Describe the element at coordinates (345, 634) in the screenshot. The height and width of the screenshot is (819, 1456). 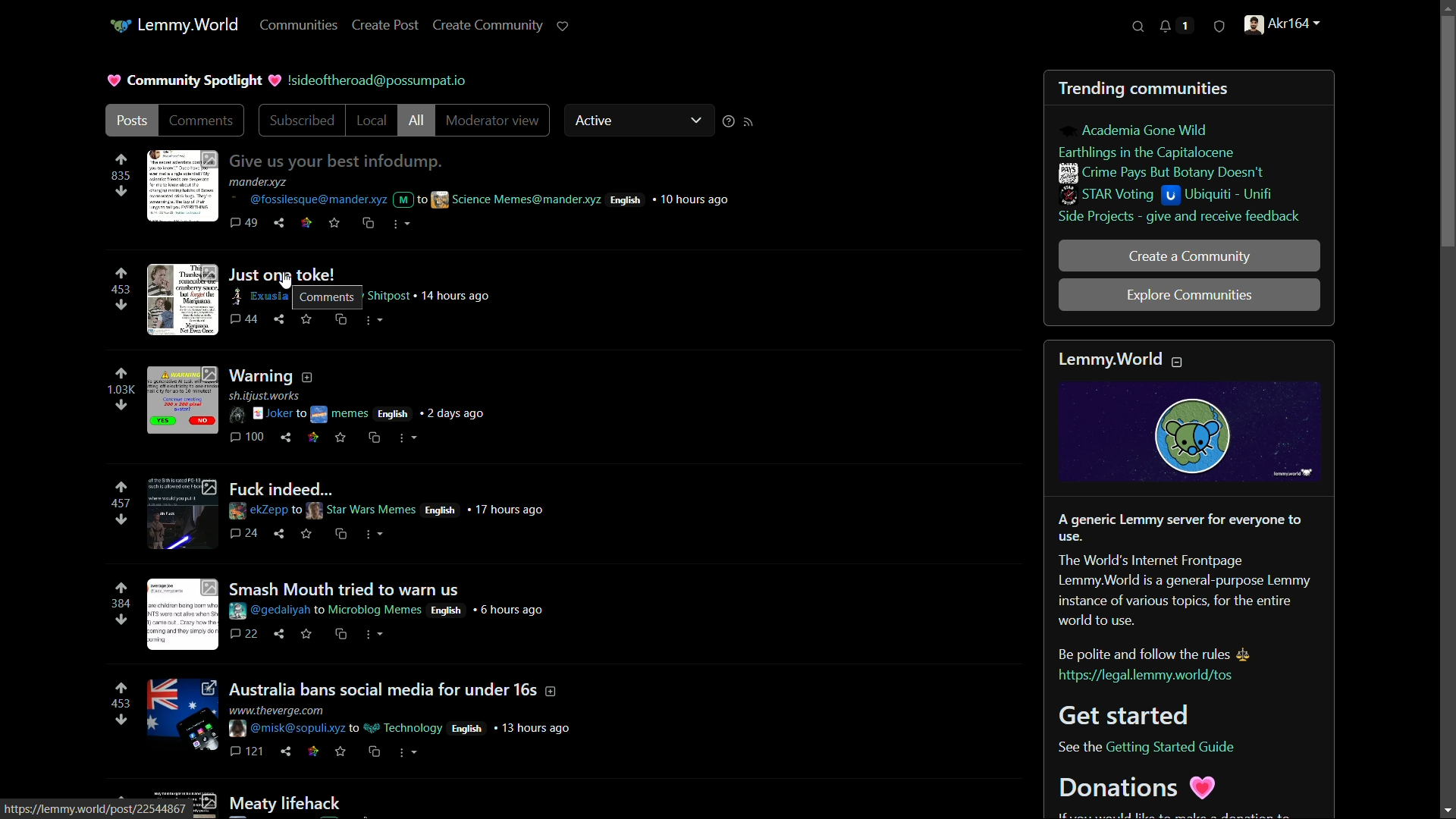
I see `crosspost` at that location.